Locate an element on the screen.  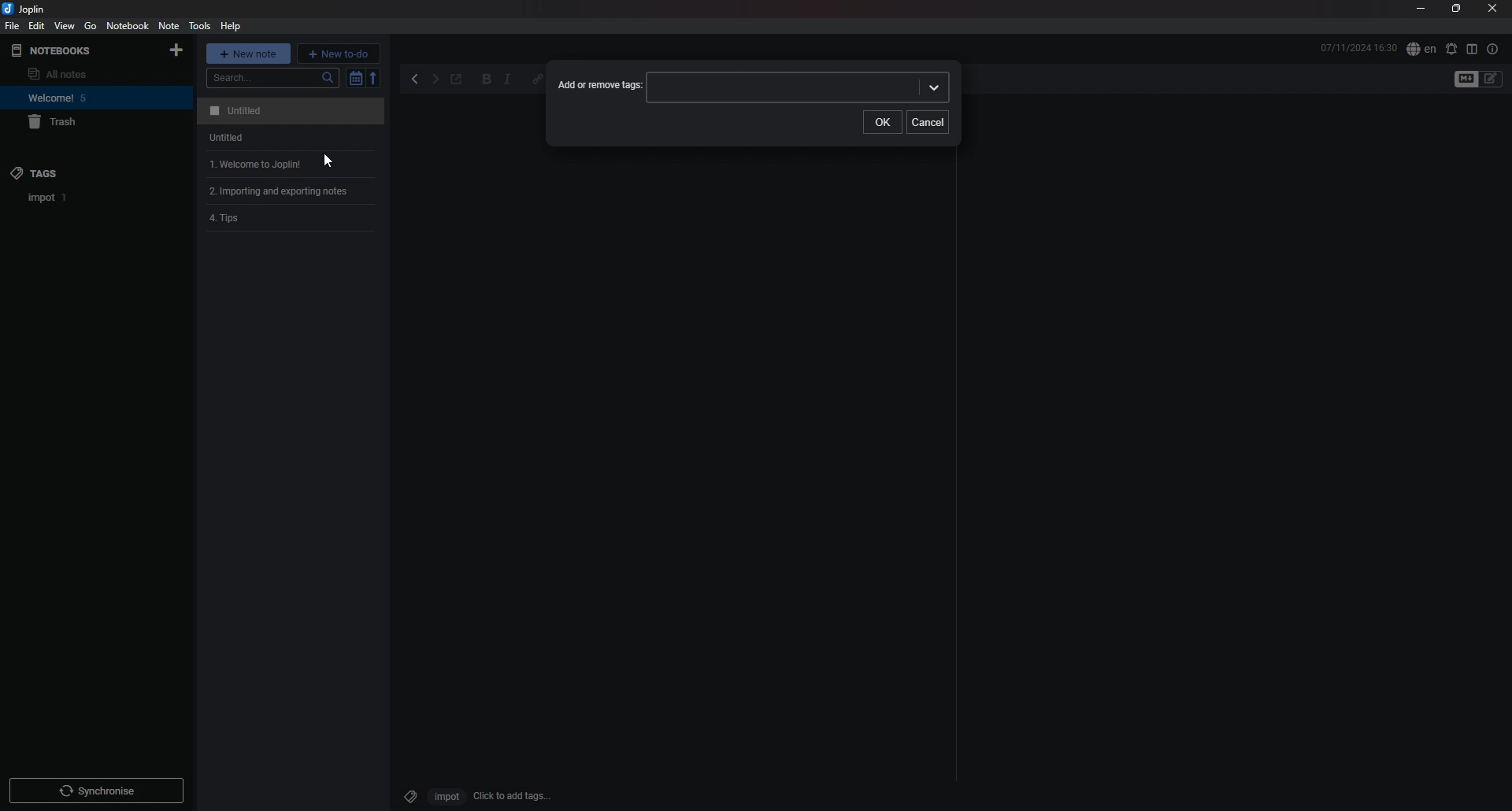
add tags is located at coordinates (513, 796).